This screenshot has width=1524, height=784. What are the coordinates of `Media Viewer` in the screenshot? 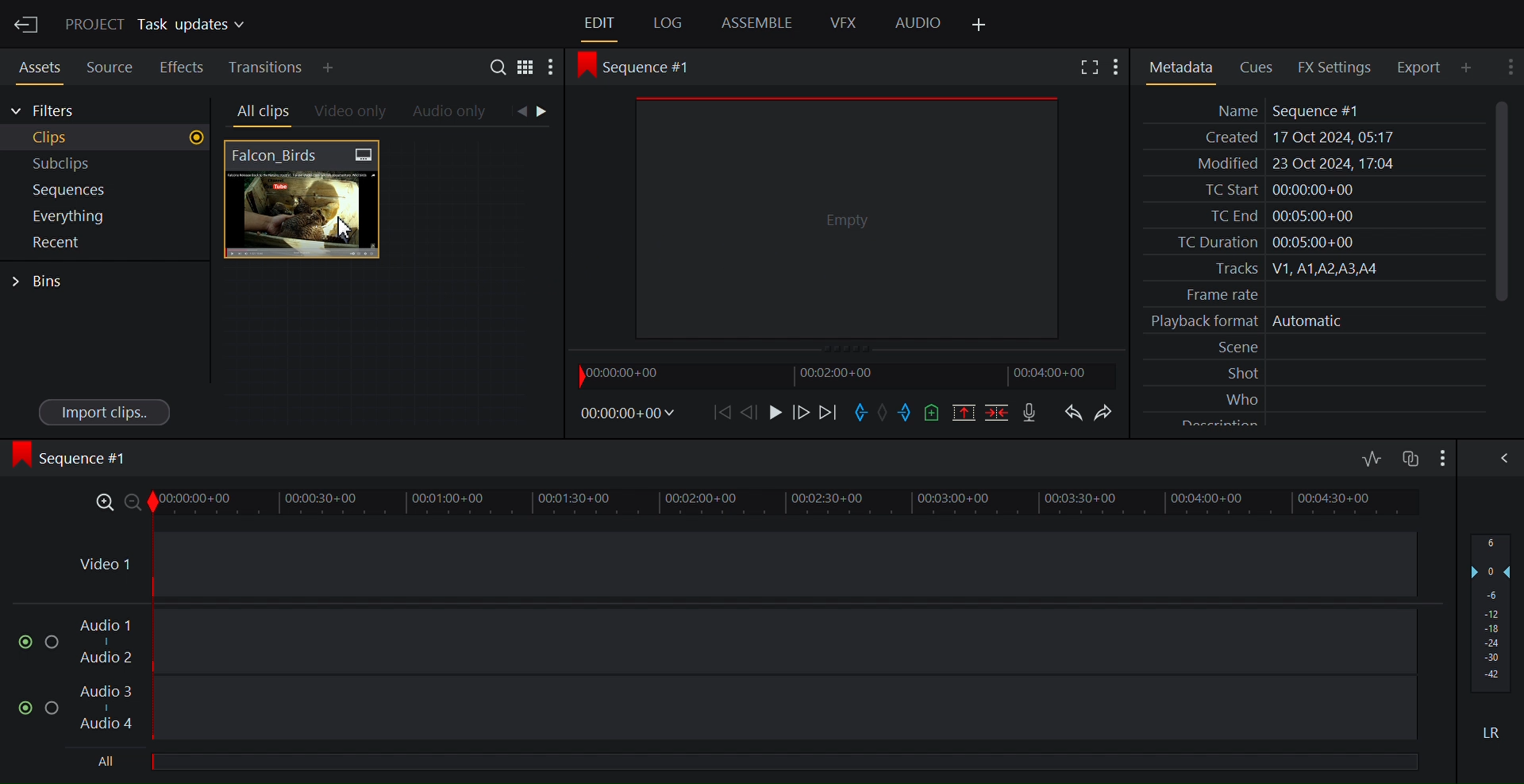 It's located at (847, 217).